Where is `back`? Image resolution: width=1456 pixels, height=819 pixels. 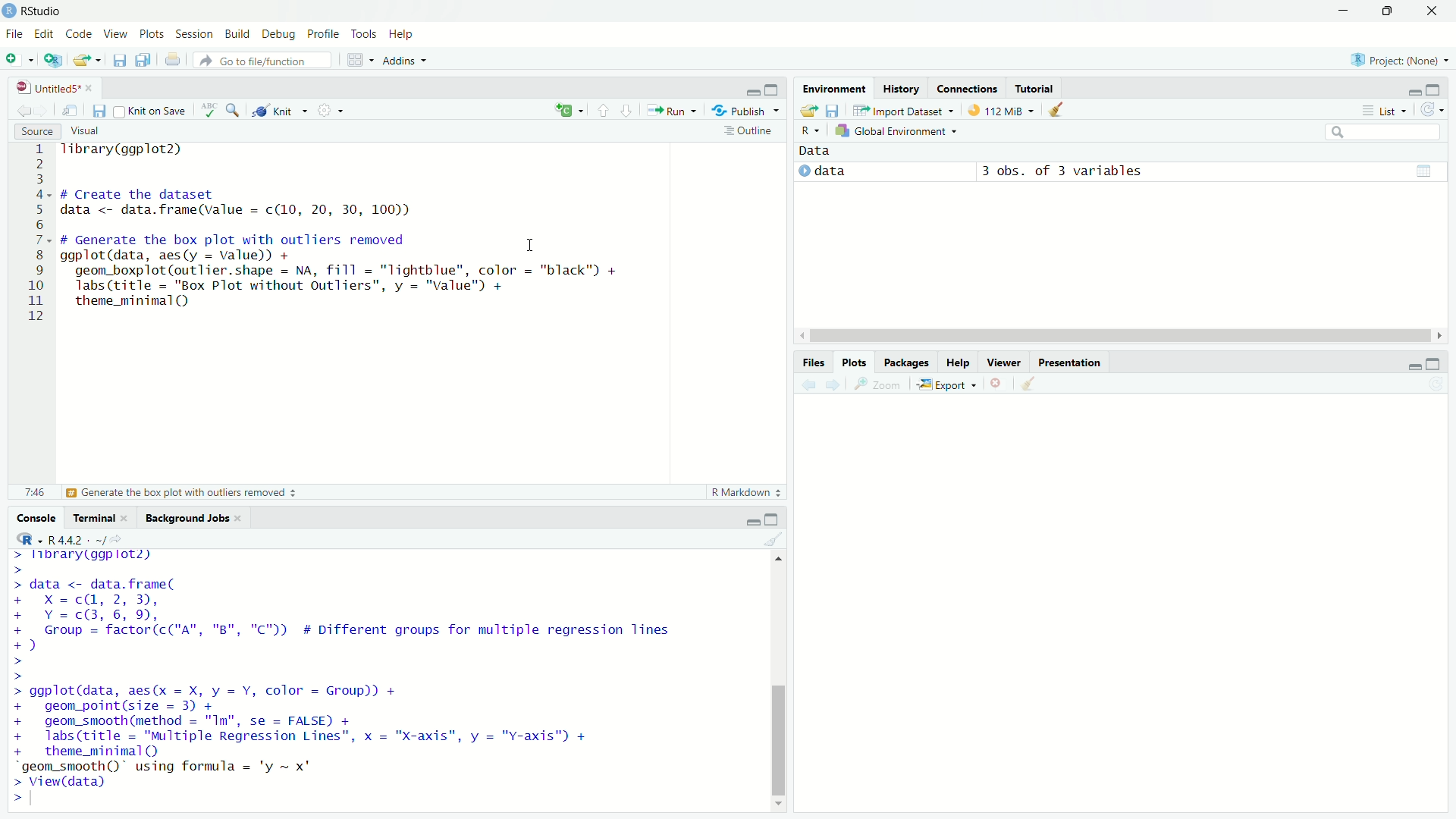 back is located at coordinates (807, 388).